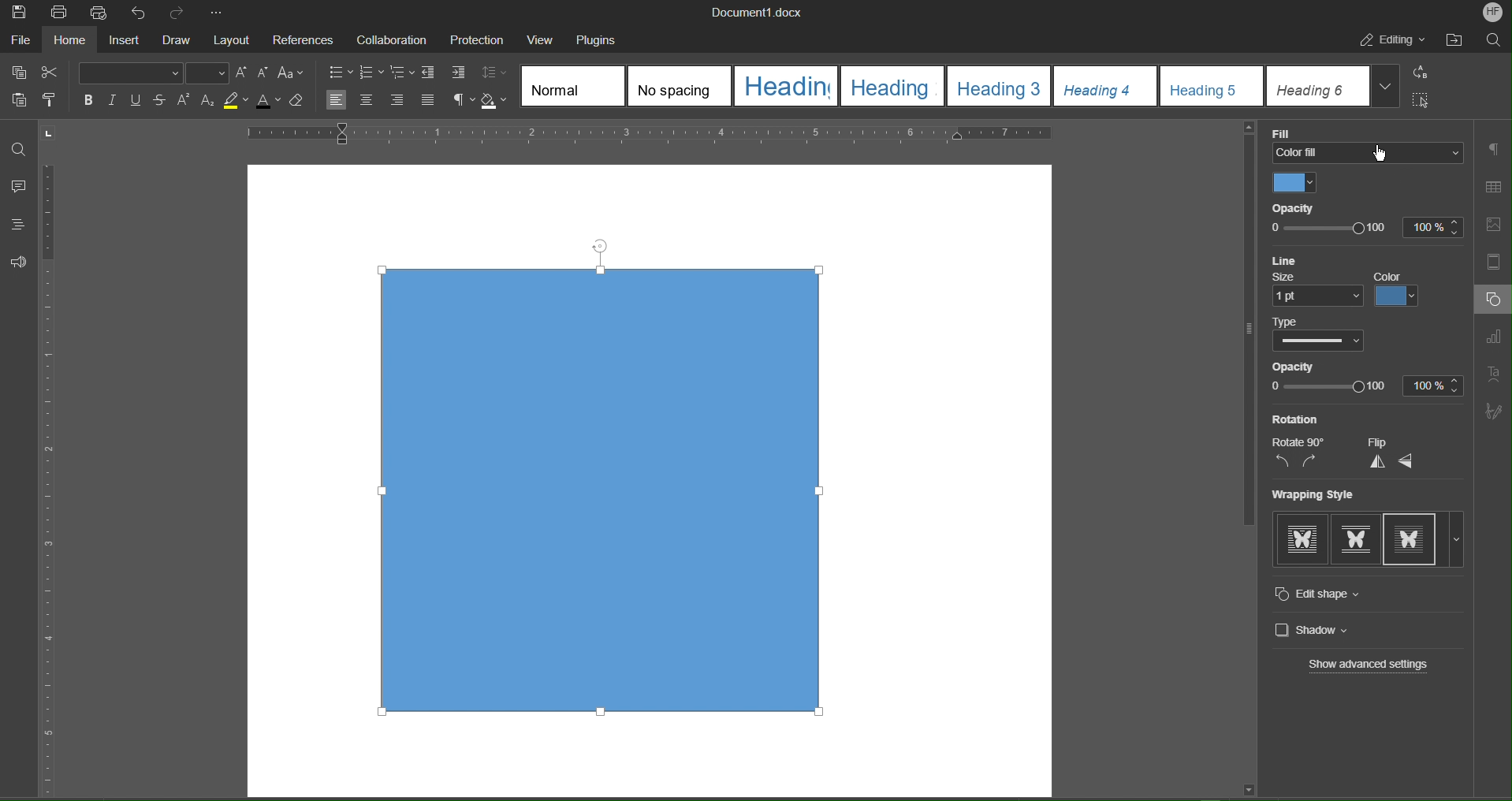  I want to click on 100%, so click(1432, 226).